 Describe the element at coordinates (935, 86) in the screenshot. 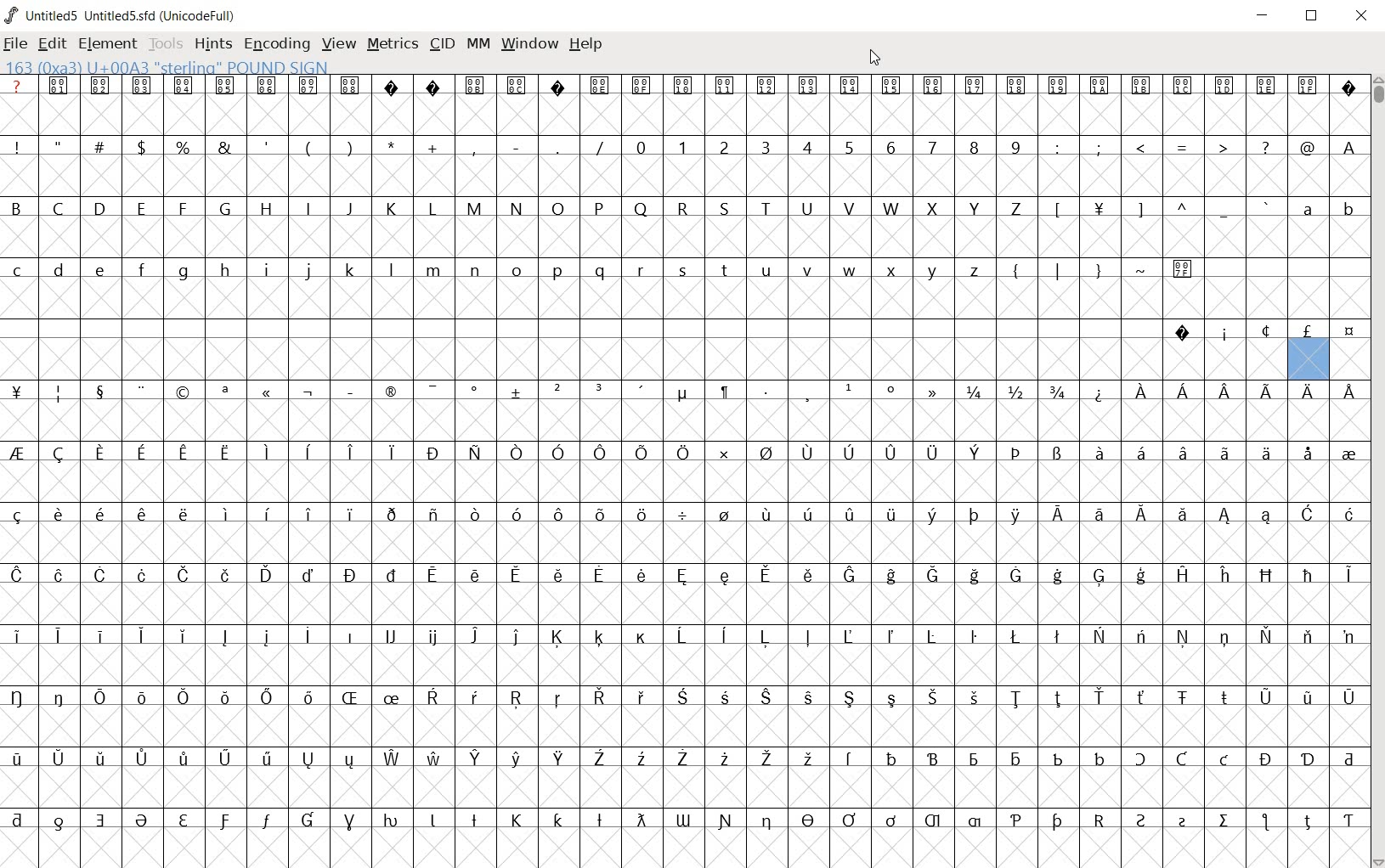

I see `Symbol` at that location.